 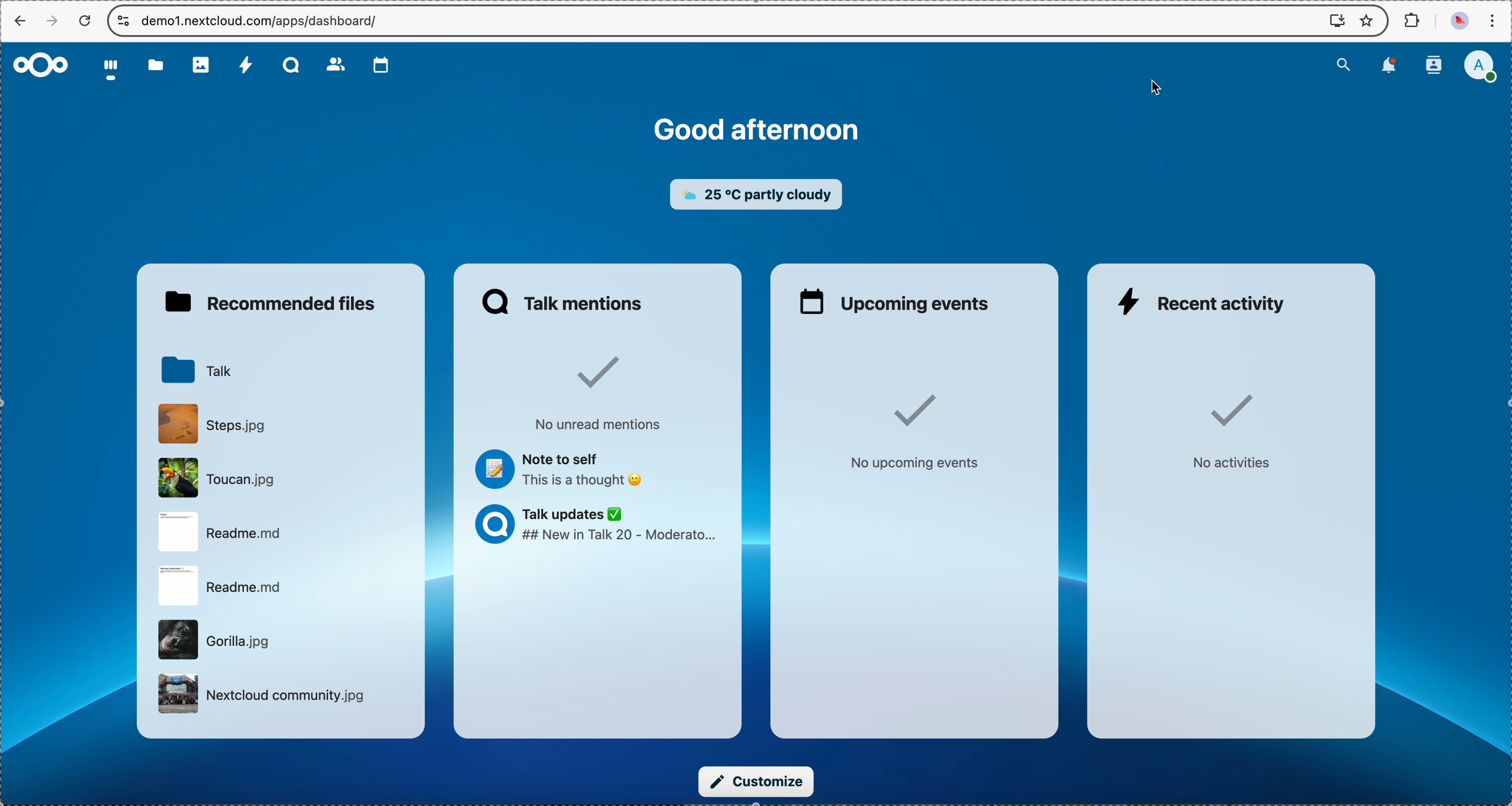 What do you see at coordinates (289, 64) in the screenshot?
I see `Talk` at bounding box center [289, 64].